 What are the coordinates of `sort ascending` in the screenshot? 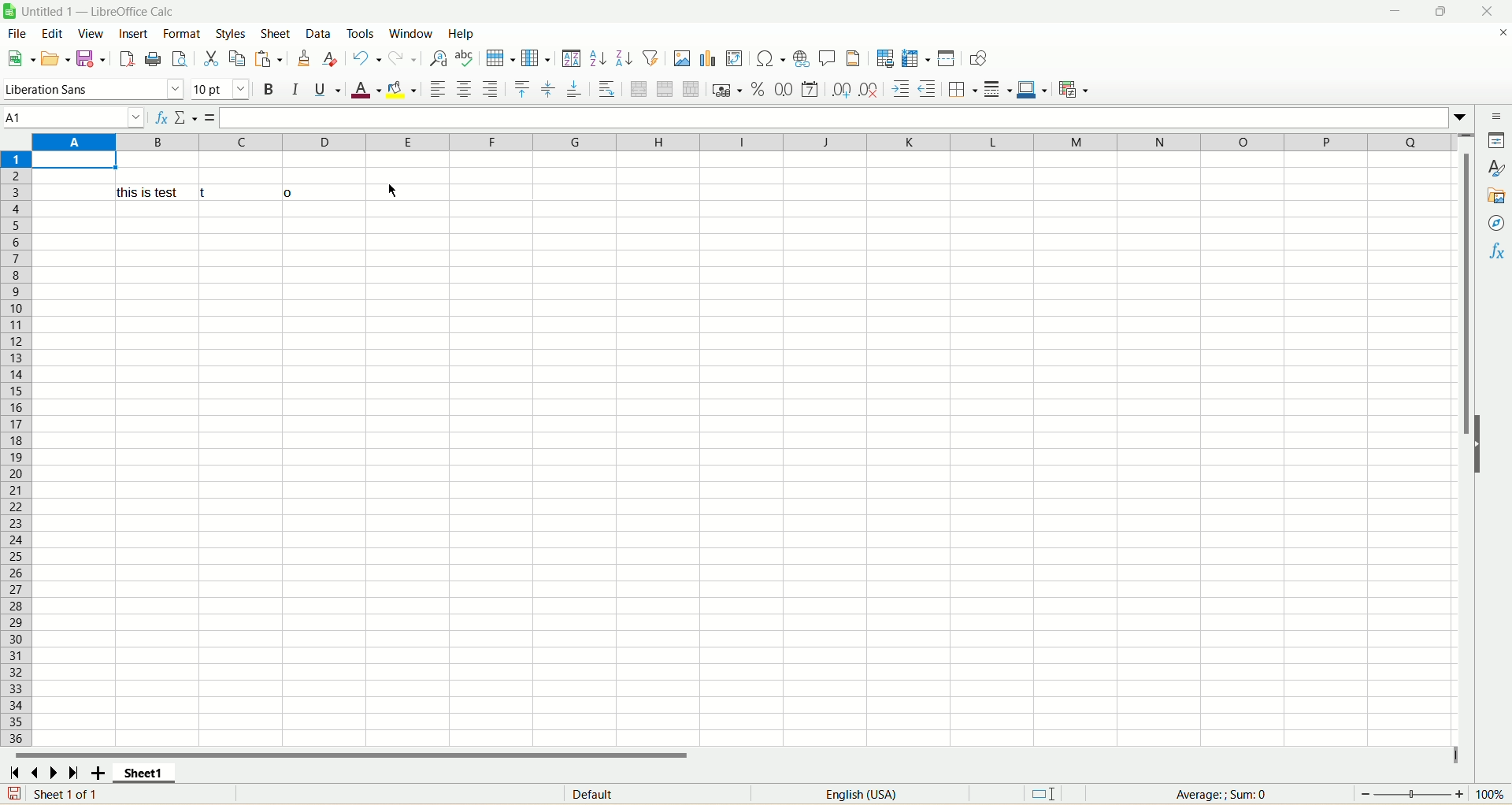 It's located at (596, 60).